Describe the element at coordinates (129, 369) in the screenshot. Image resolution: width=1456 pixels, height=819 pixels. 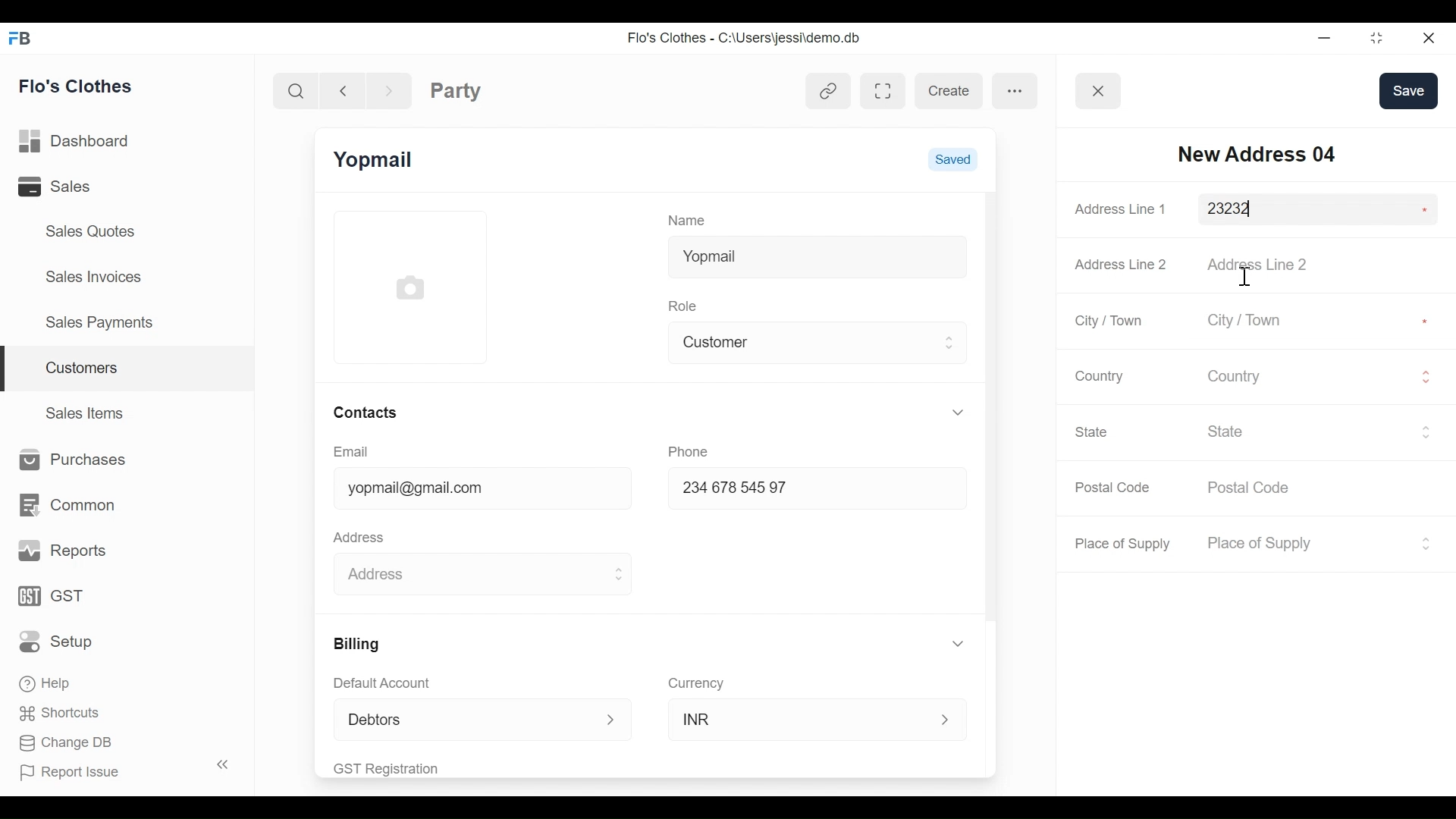
I see `Customers` at that location.